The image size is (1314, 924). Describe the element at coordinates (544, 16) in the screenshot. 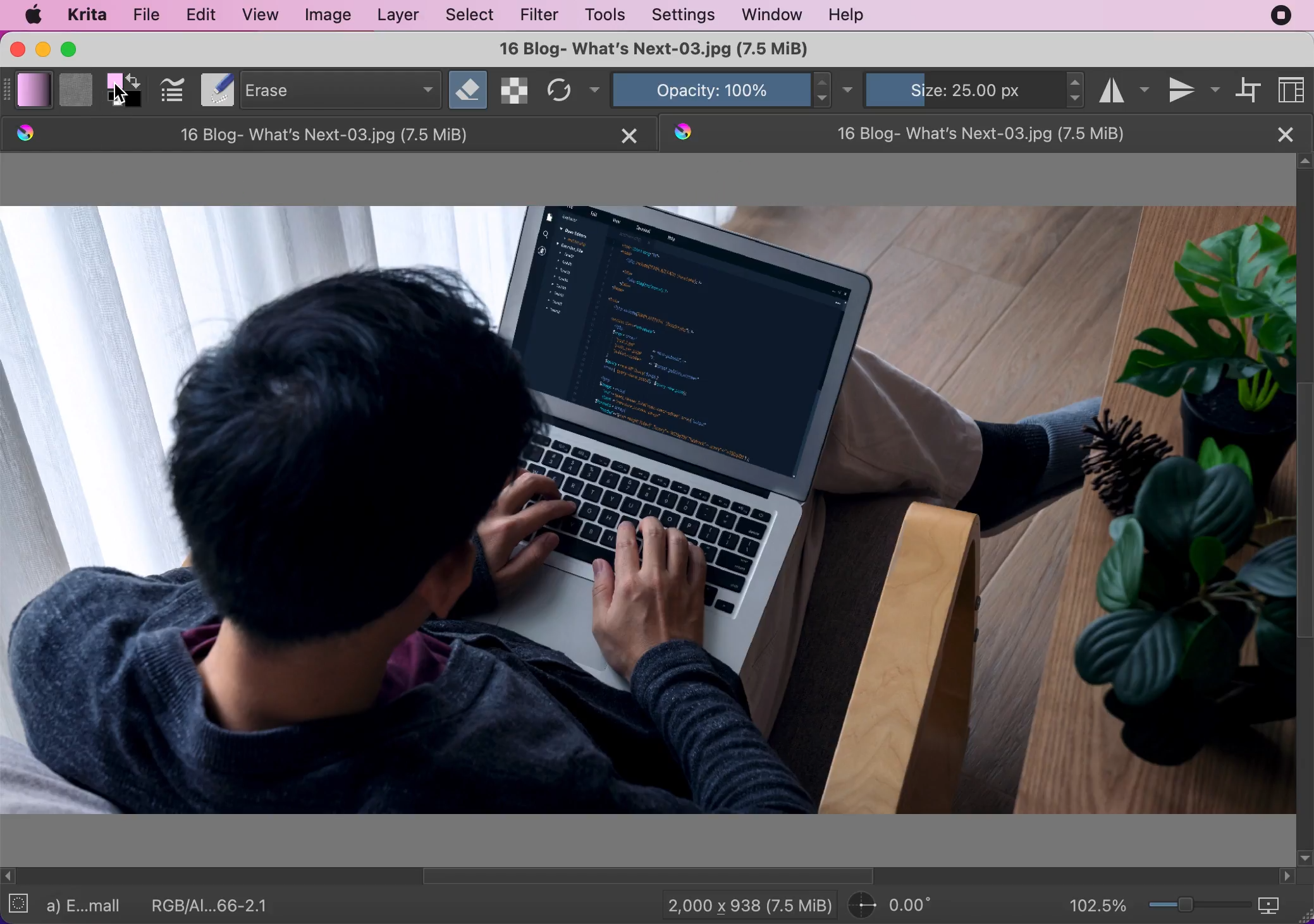

I see `filter` at that location.